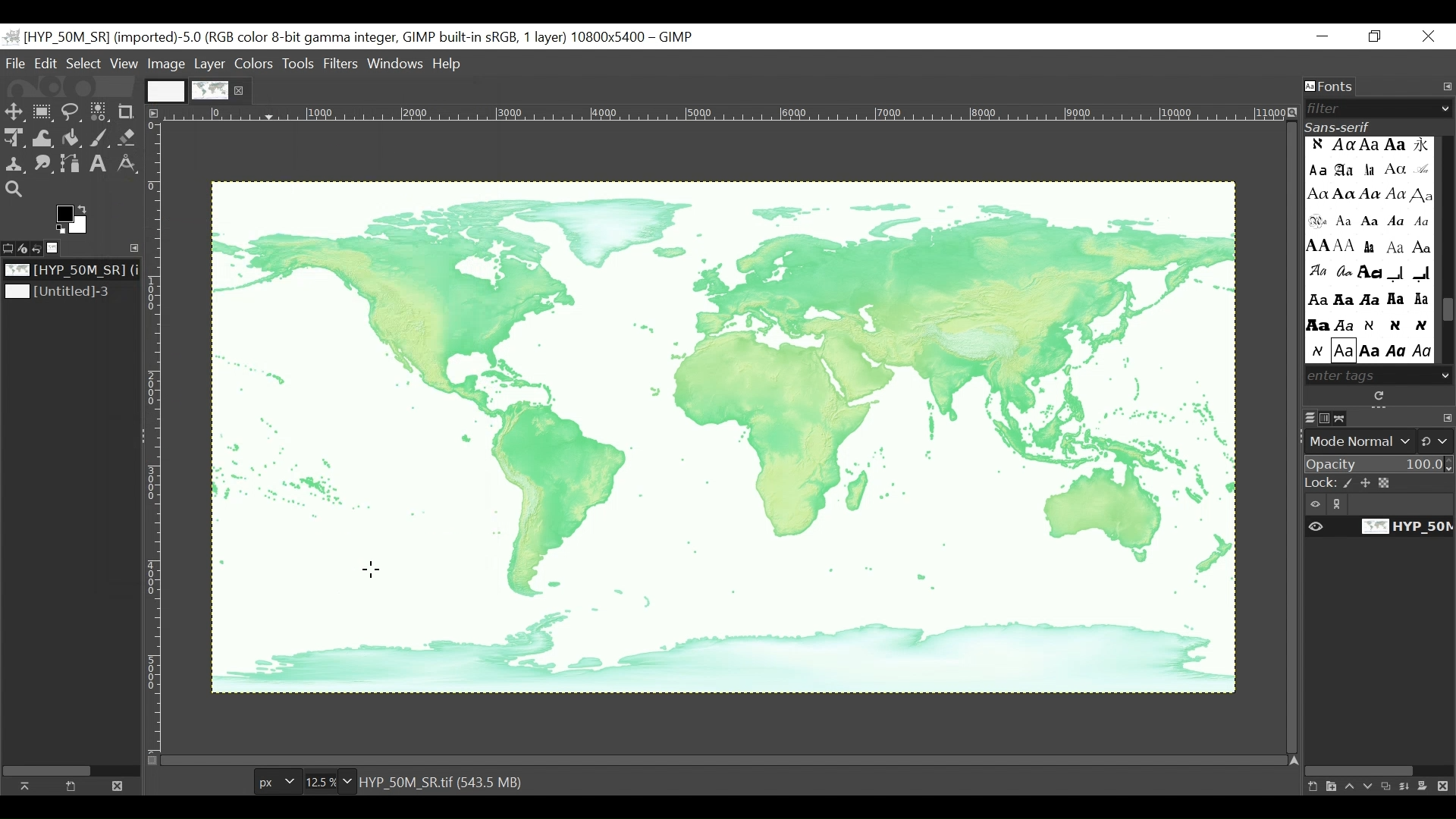 The image size is (1456, 819). I want to click on Raise this image display, so click(29, 786).